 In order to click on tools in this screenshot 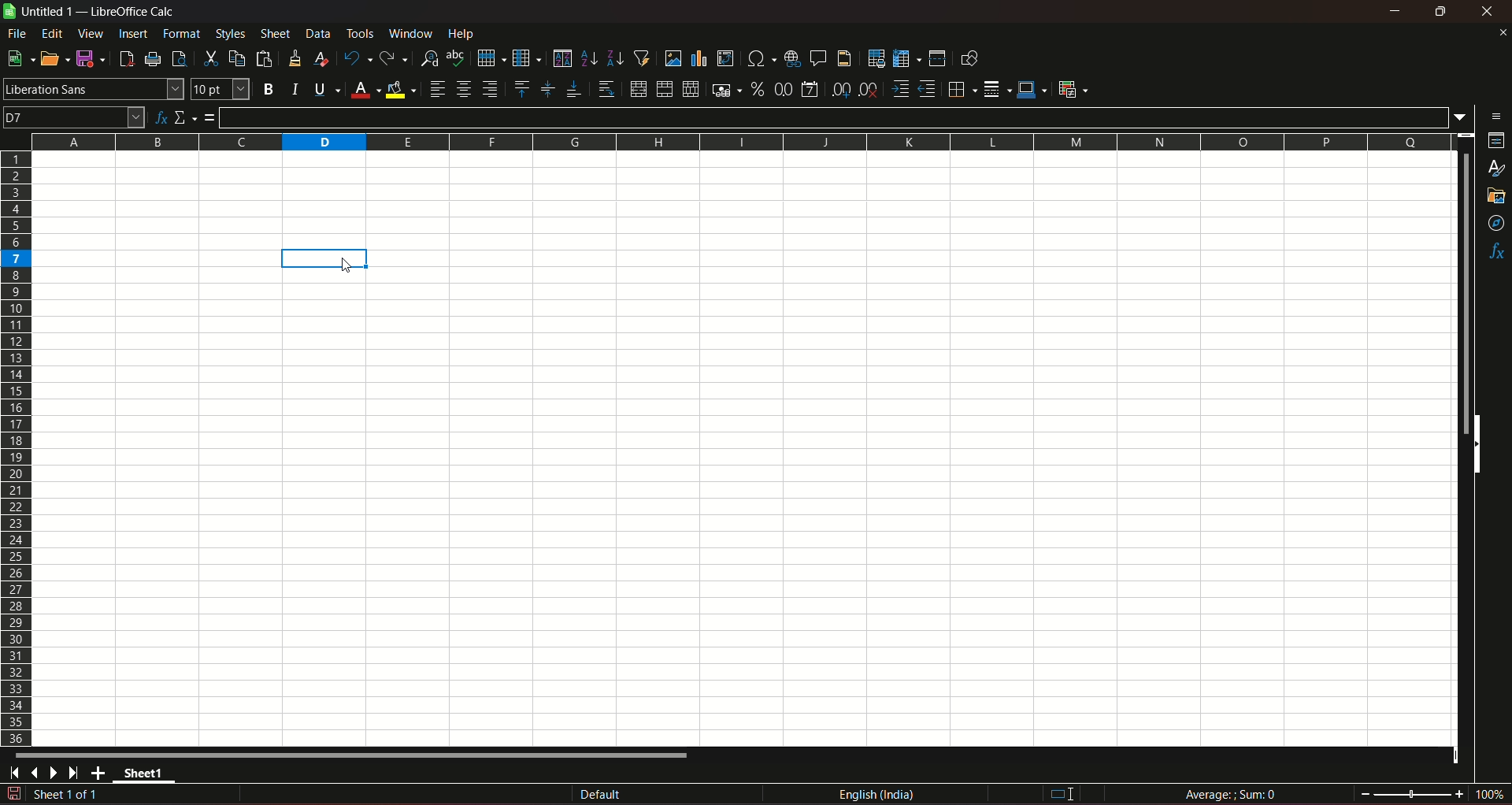, I will do `click(361, 33)`.